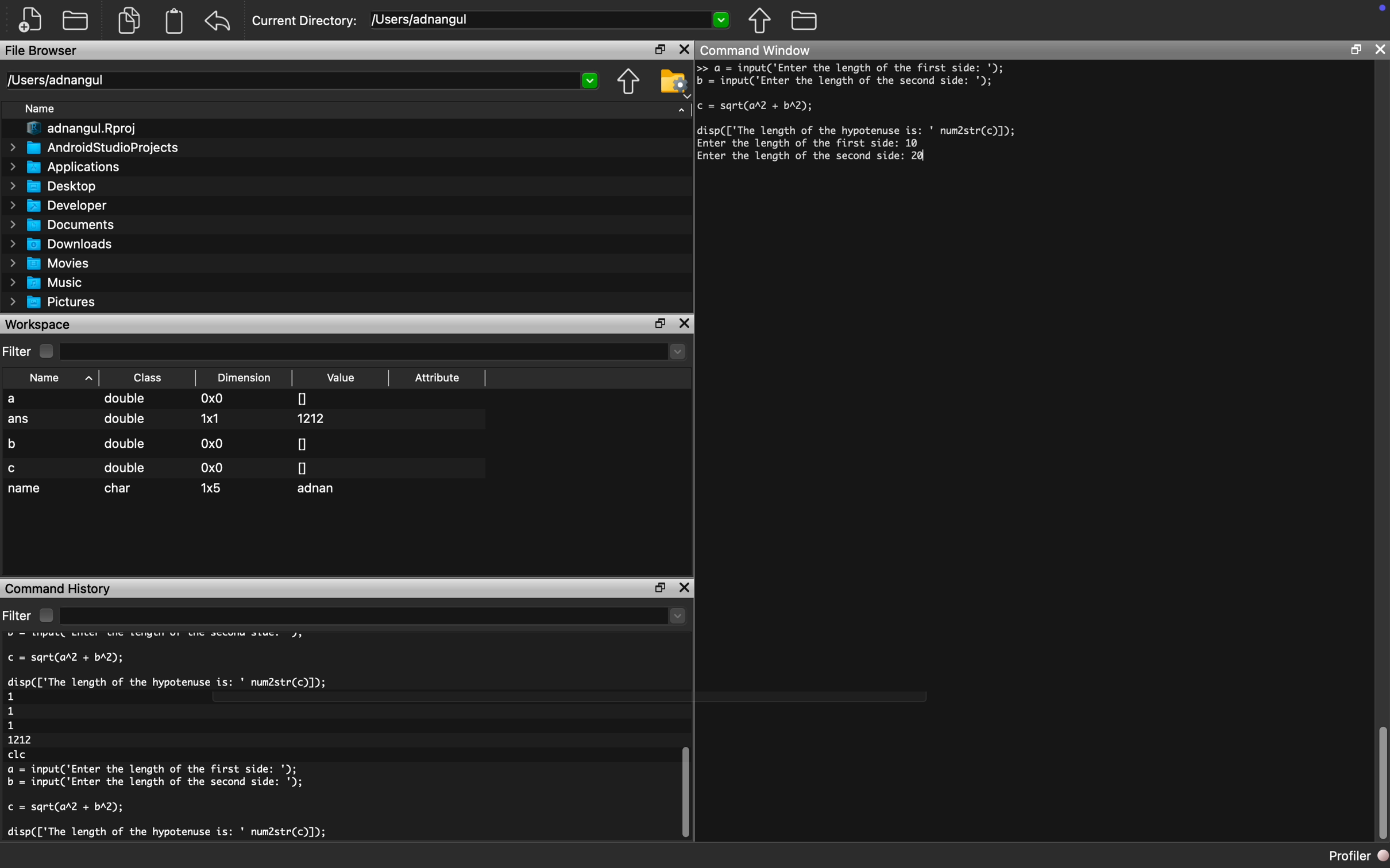  Describe the element at coordinates (210, 418) in the screenshot. I see `1x1` at that location.